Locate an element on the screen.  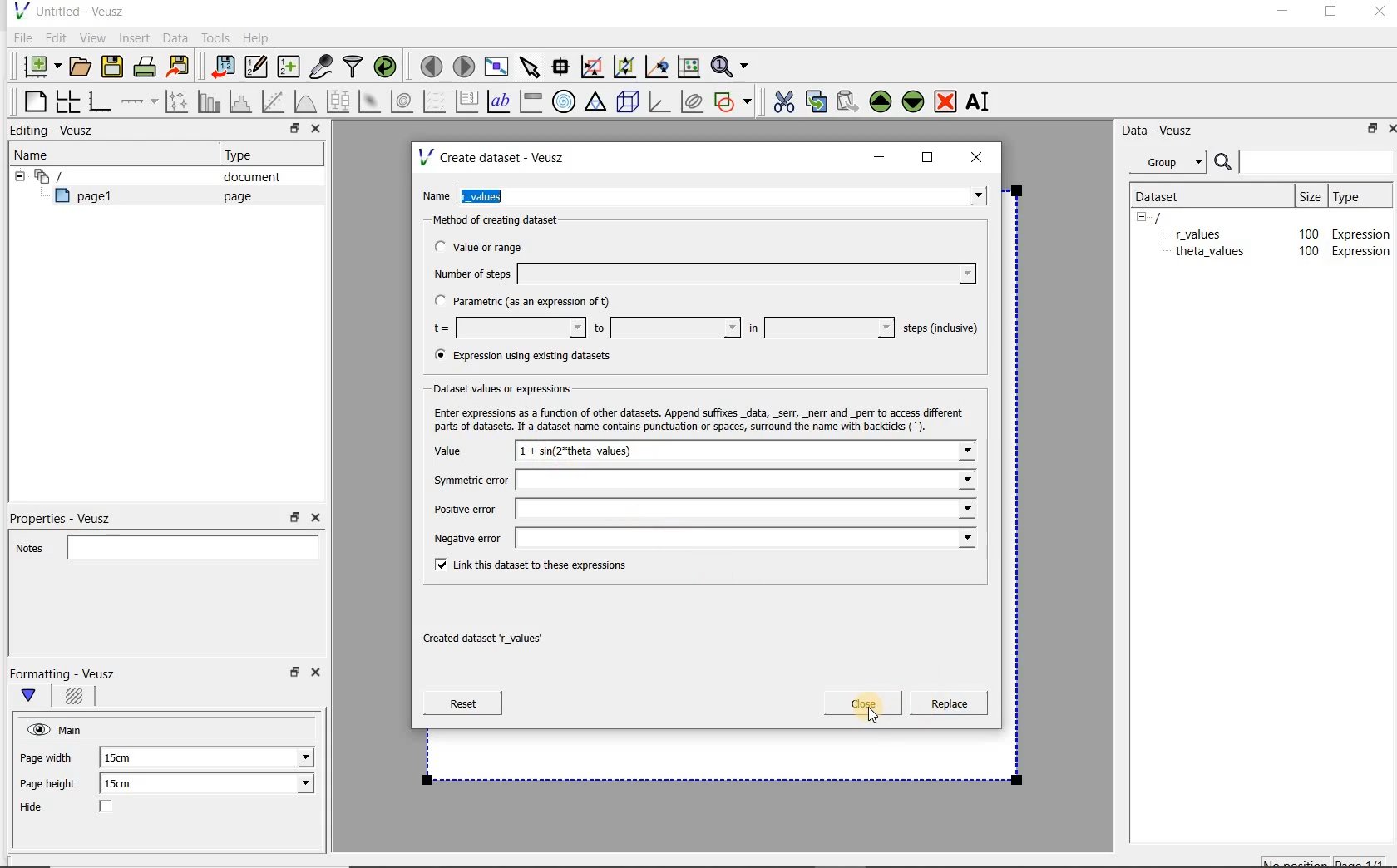
Insert is located at coordinates (136, 37).